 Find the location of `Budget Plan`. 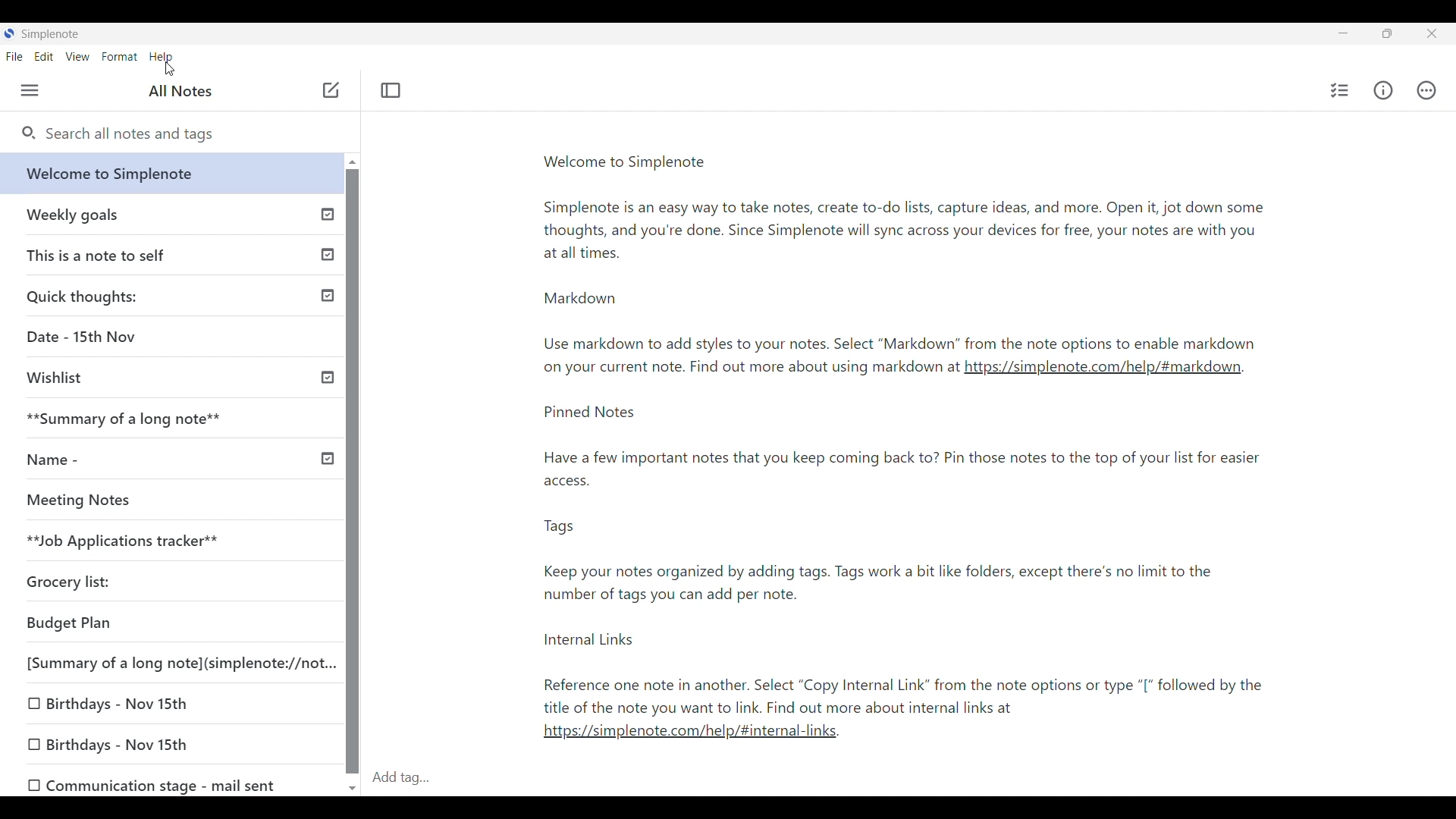

Budget Plan is located at coordinates (69, 623).